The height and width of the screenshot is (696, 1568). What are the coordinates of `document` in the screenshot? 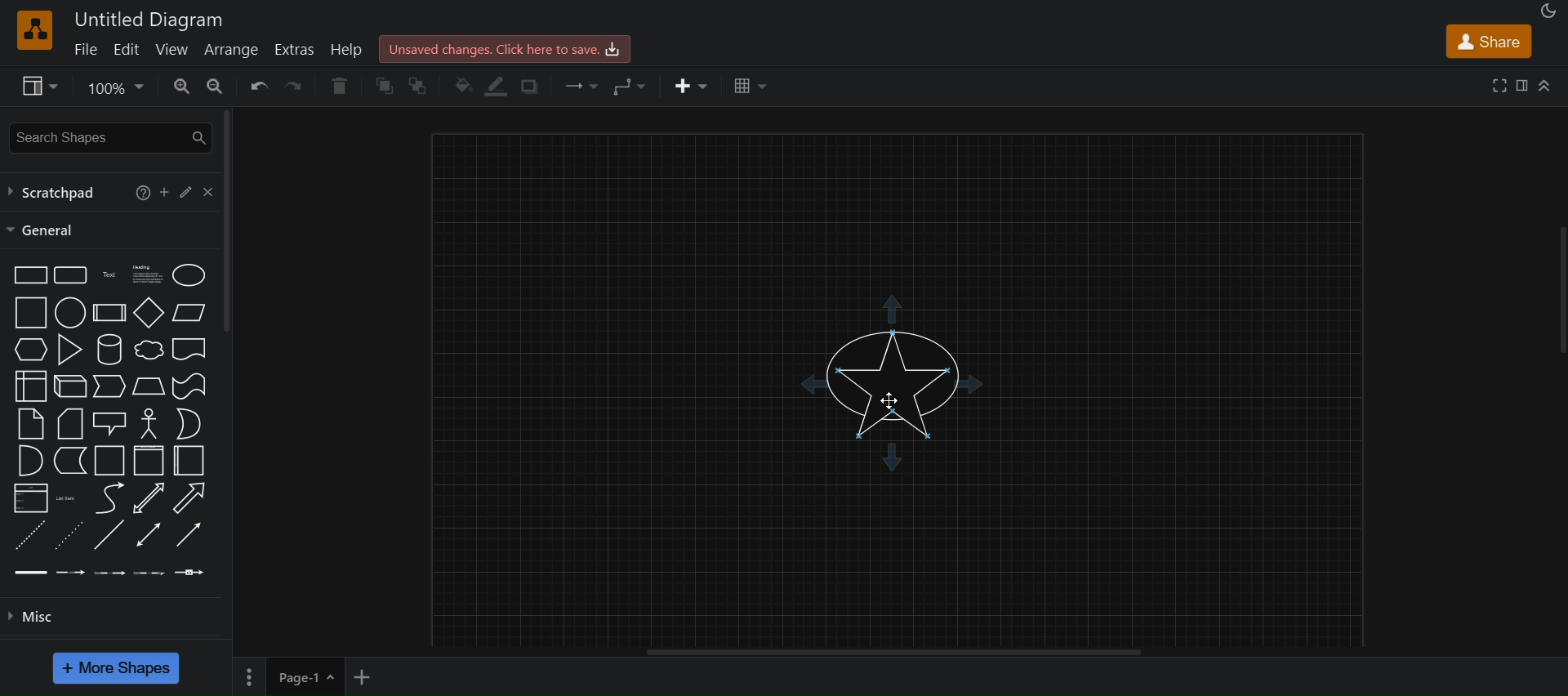 It's located at (191, 349).